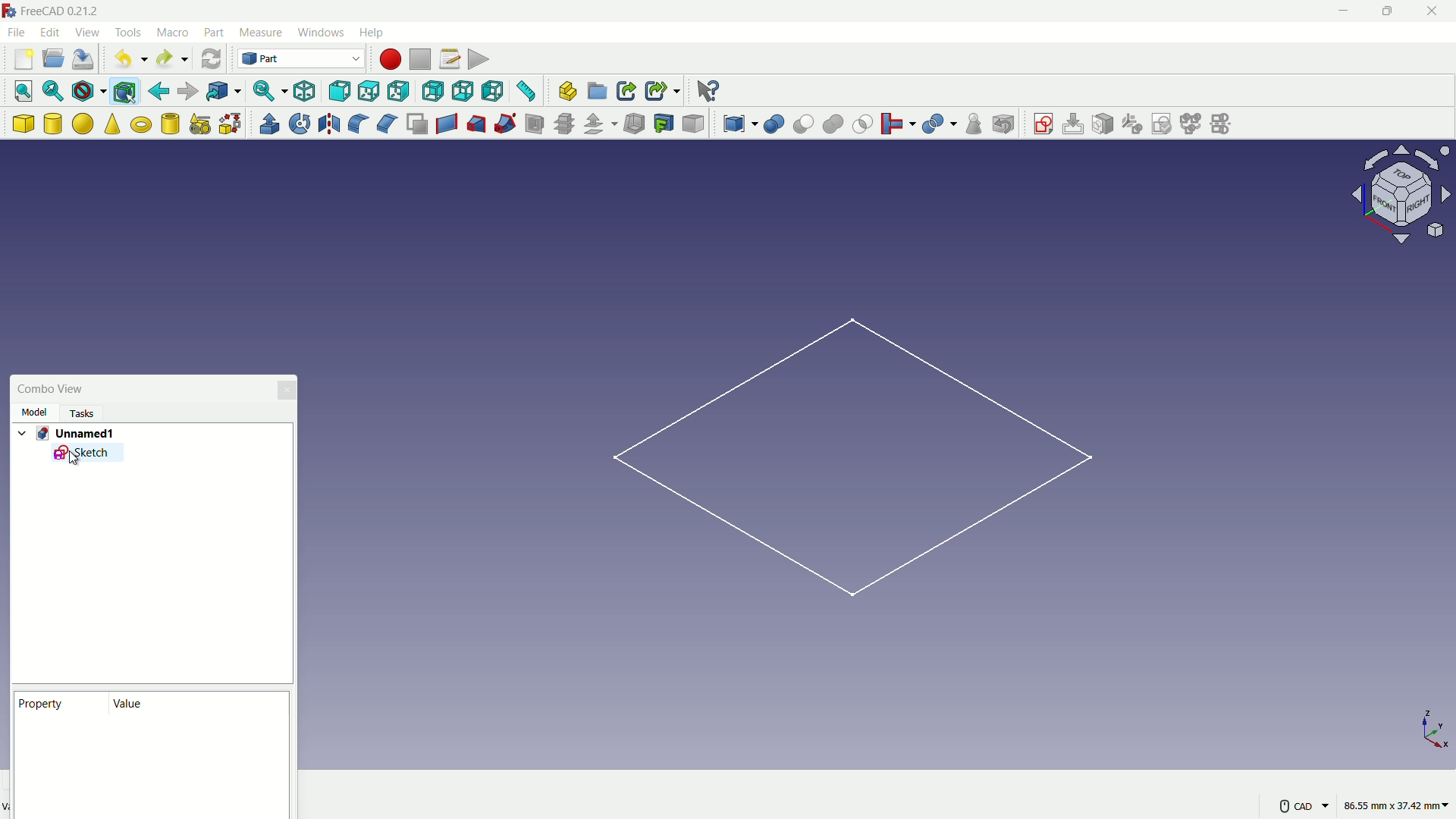  What do you see at coordinates (287, 393) in the screenshot?
I see `Close` at bounding box center [287, 393].